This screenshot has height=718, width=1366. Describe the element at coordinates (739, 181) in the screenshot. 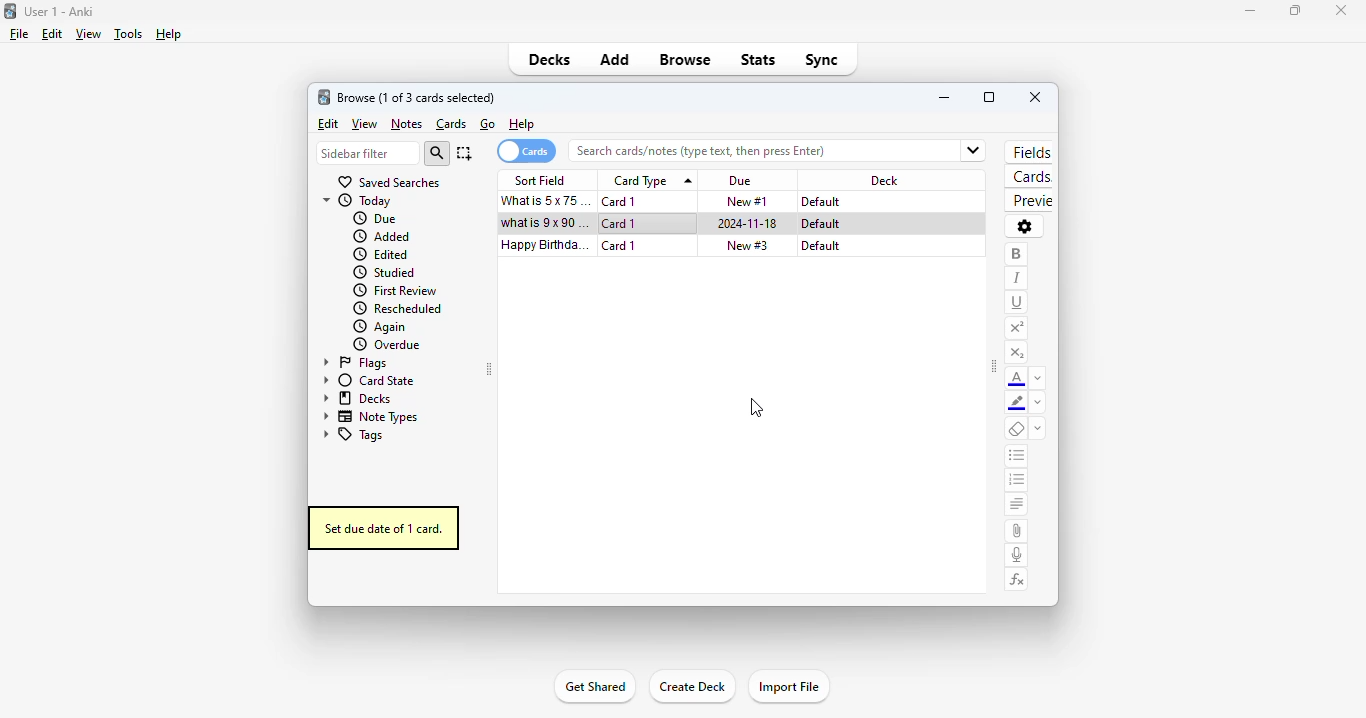

I see `due` at that location.